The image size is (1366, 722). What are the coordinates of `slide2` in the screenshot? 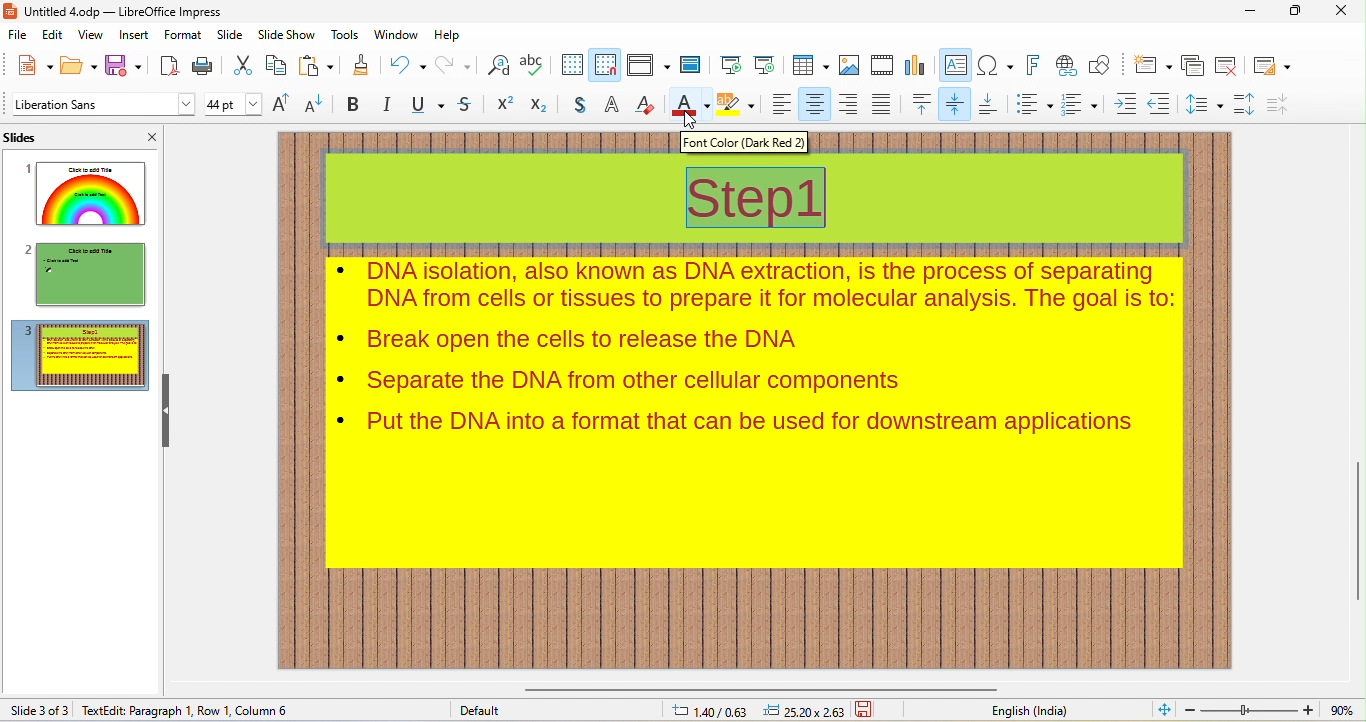 It's located at (79, 273).